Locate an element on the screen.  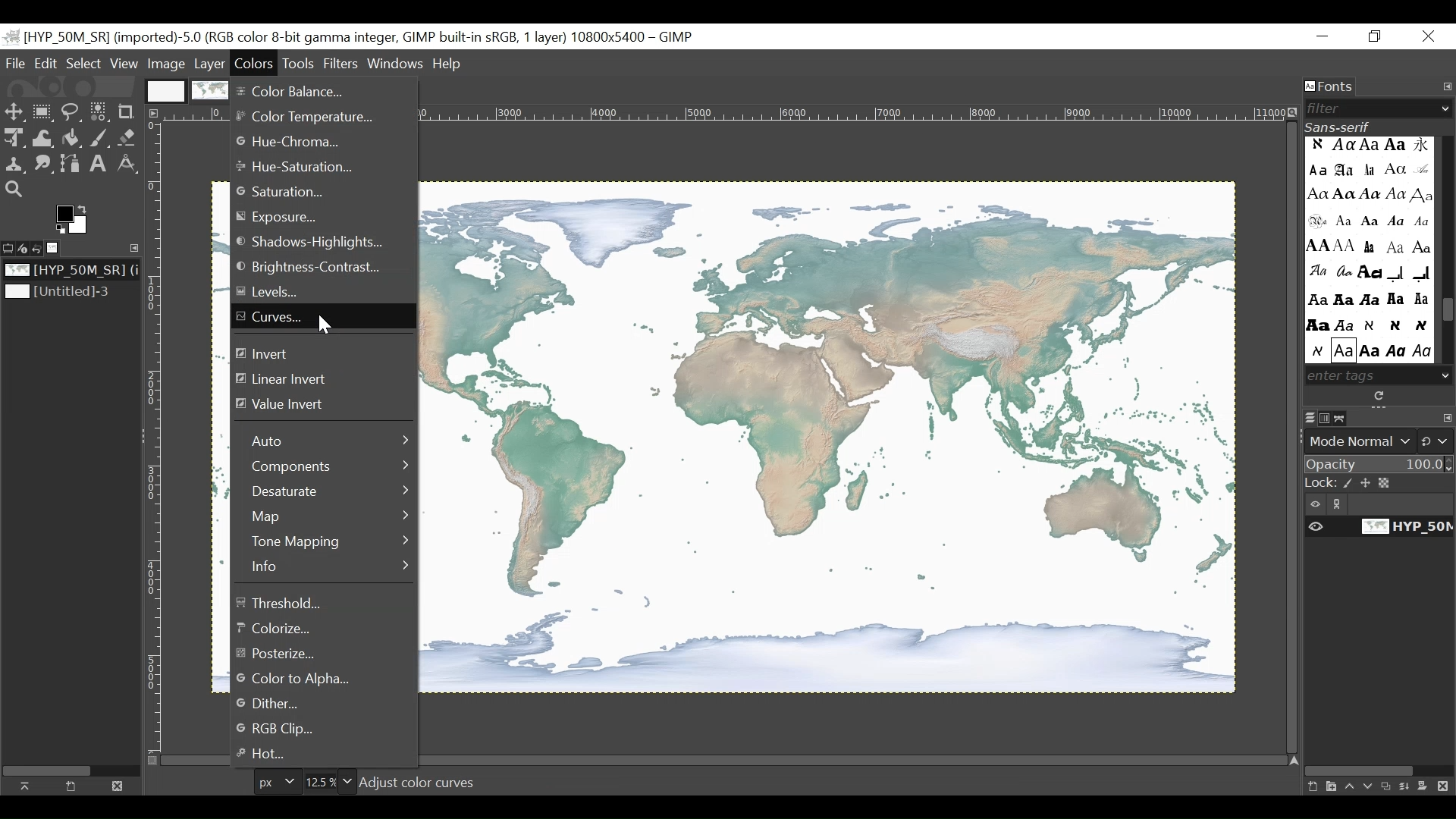
Undo History is located at coordinates (42, 249).